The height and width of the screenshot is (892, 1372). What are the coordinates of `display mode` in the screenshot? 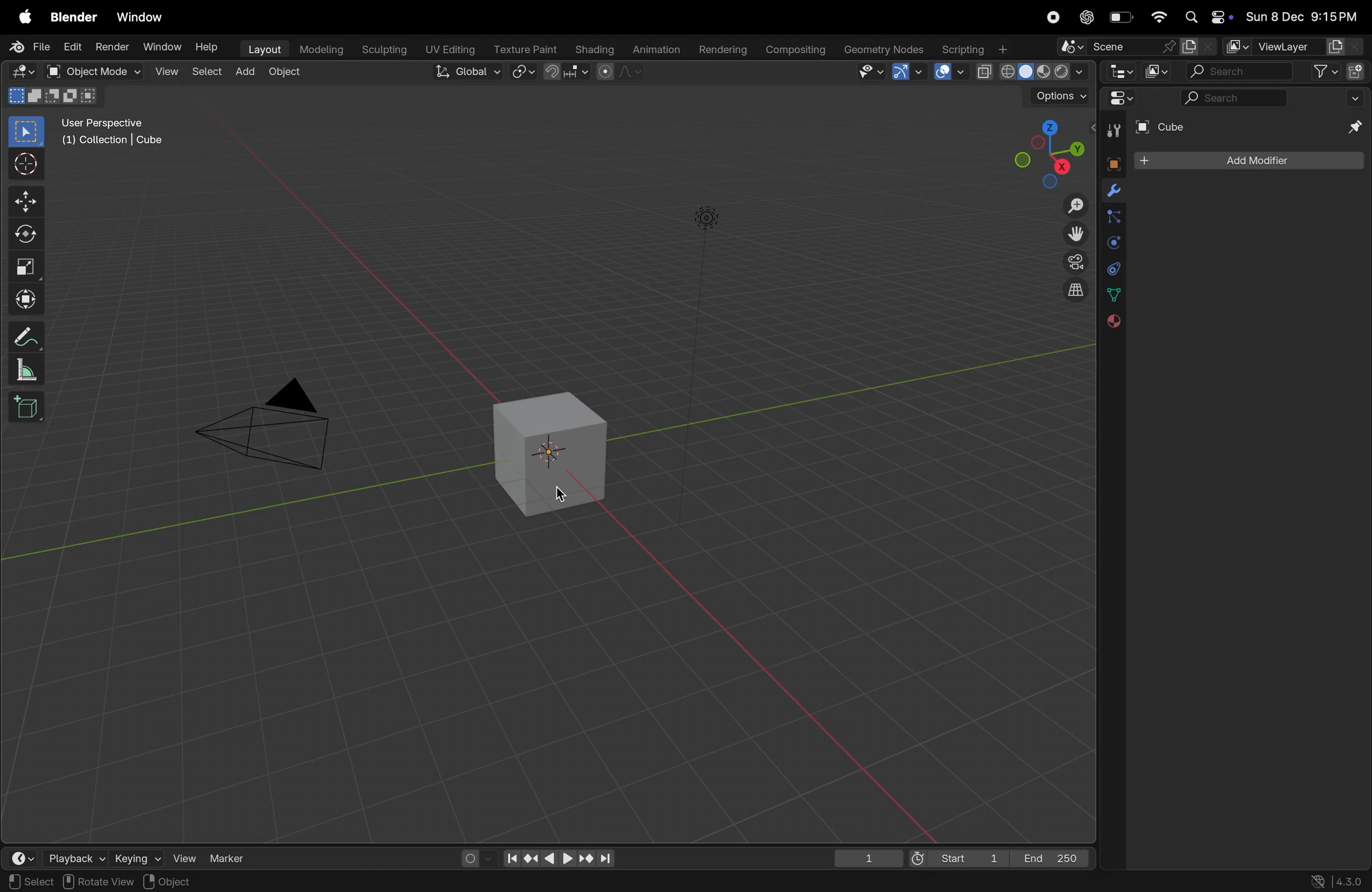 It's located at (1156, 71).